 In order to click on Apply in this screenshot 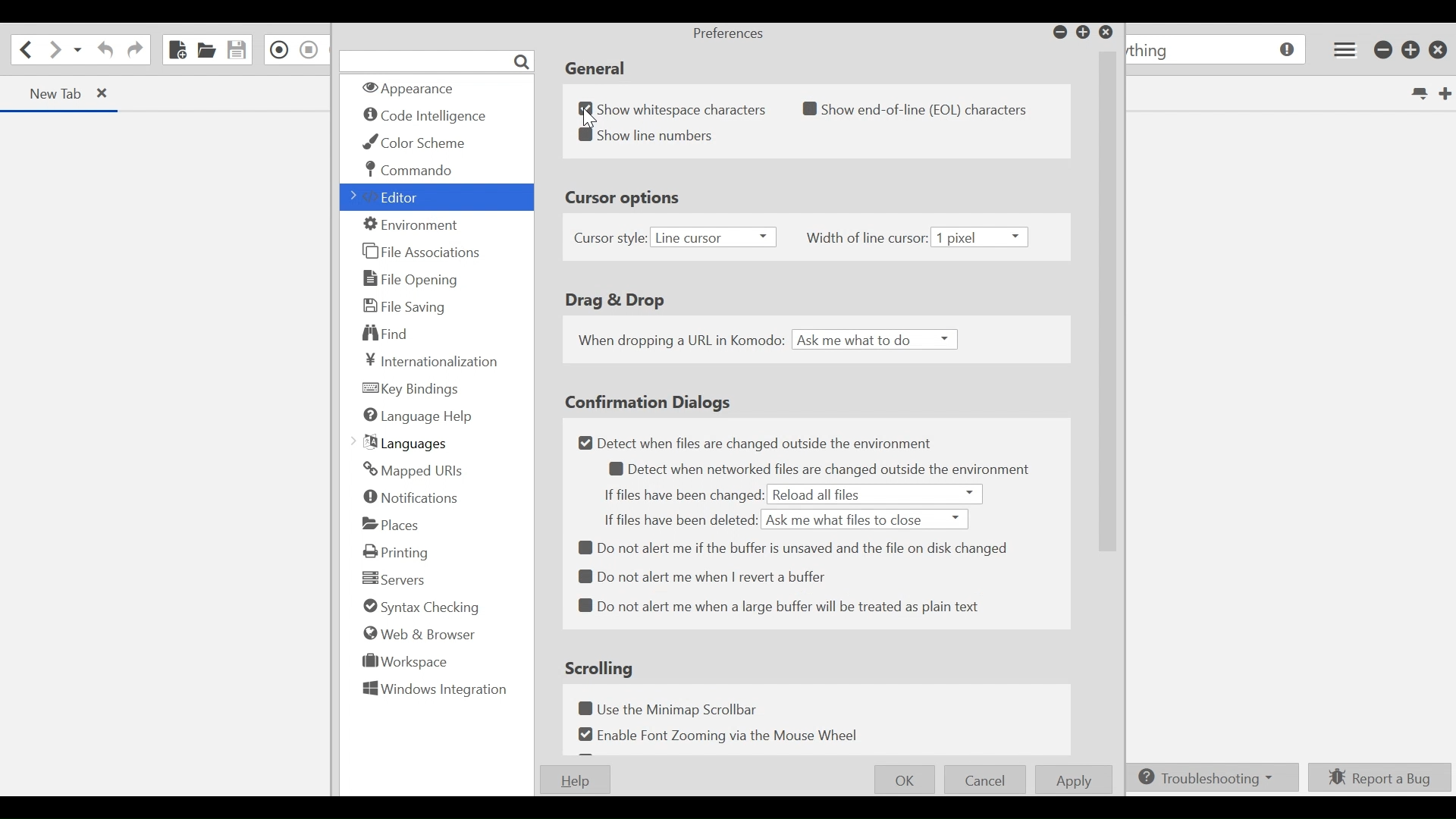, I will do `click(1073, 780)`.